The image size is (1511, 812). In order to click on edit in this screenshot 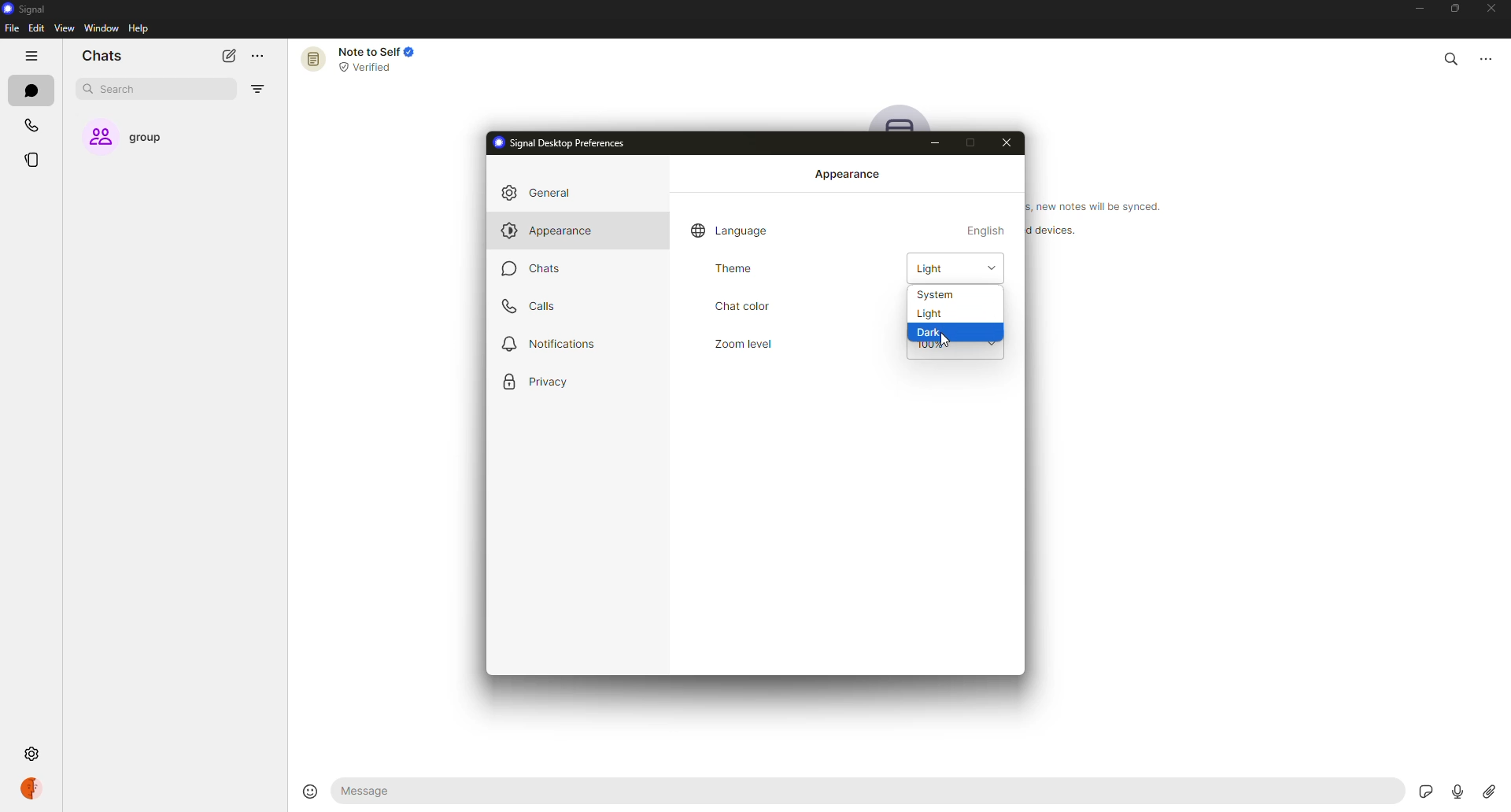, I will do `click(36, 28)`.